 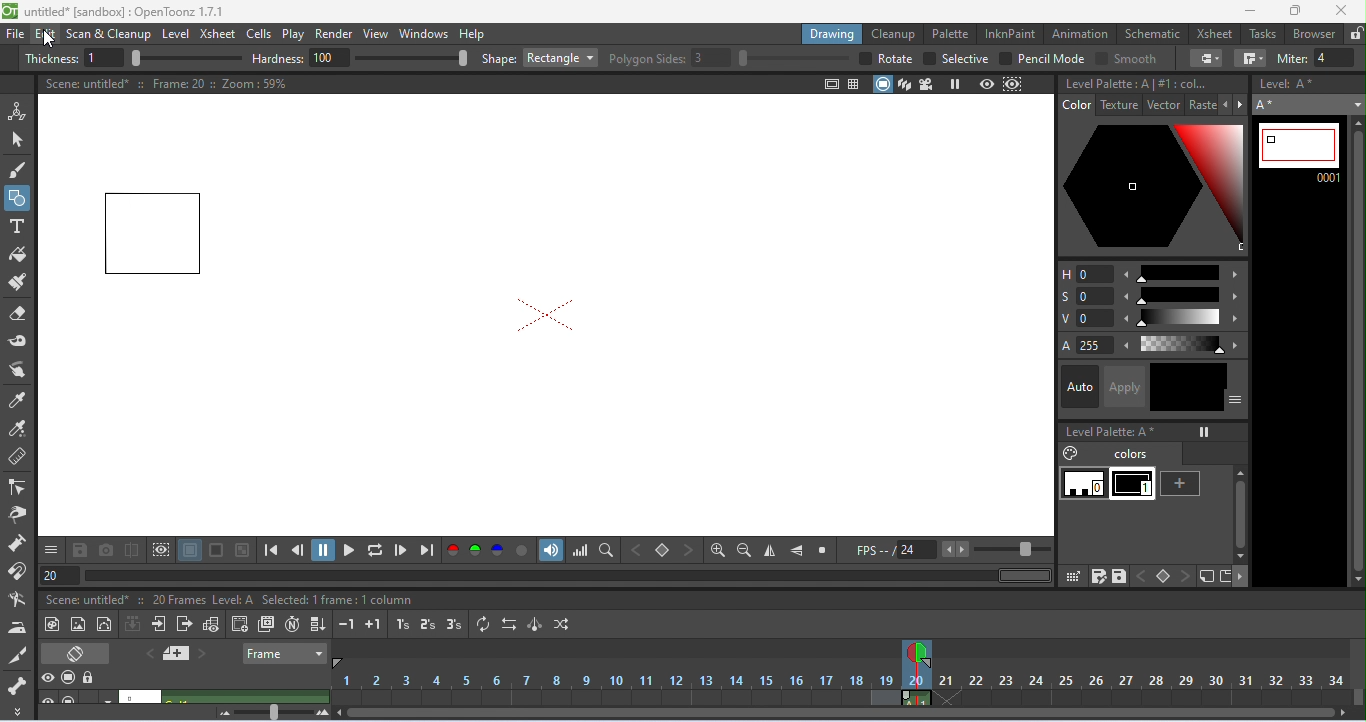 I want to click on join, so click(x=1247, y=58).